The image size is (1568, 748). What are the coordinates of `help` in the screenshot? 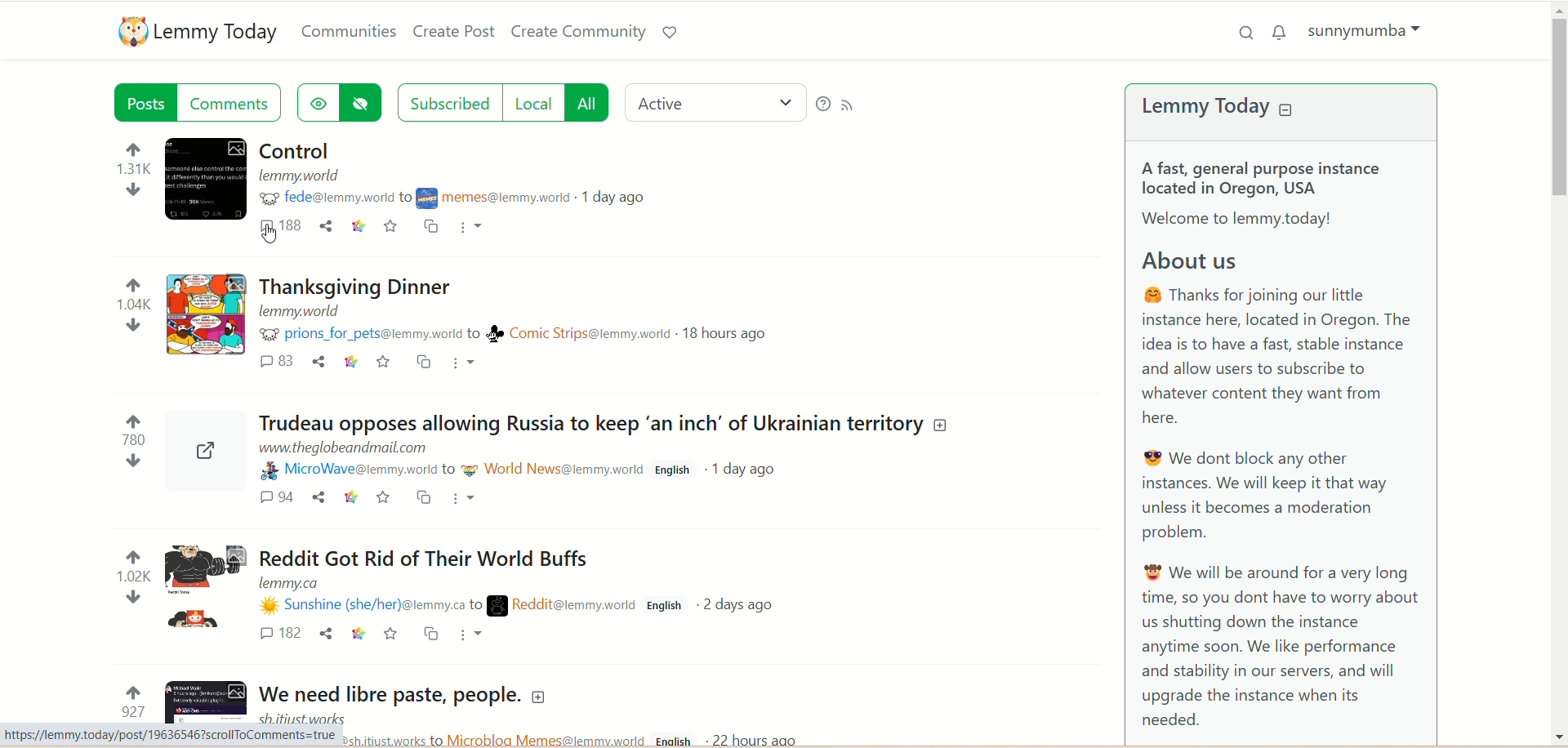 It's located at (820, 103).